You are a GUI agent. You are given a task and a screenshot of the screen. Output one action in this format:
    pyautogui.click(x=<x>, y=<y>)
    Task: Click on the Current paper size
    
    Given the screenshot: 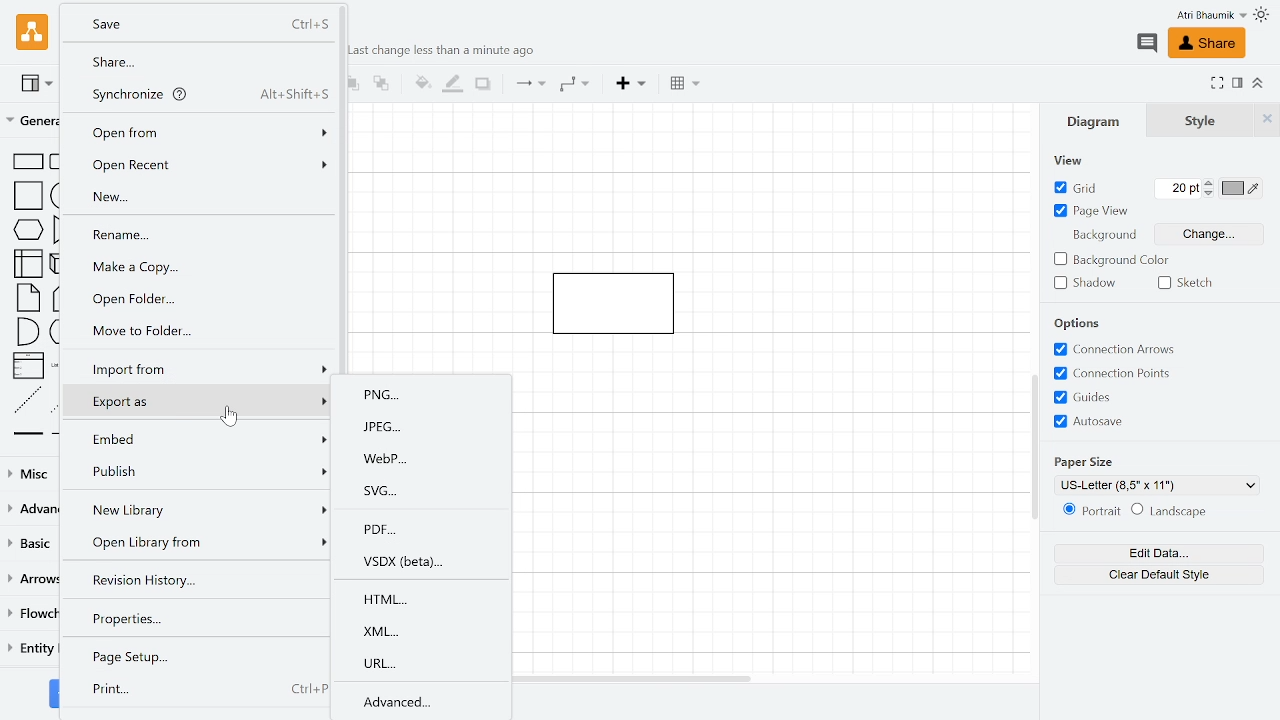 What is the action you would take?
    pyautogui.click(x=1160, y=485)
    